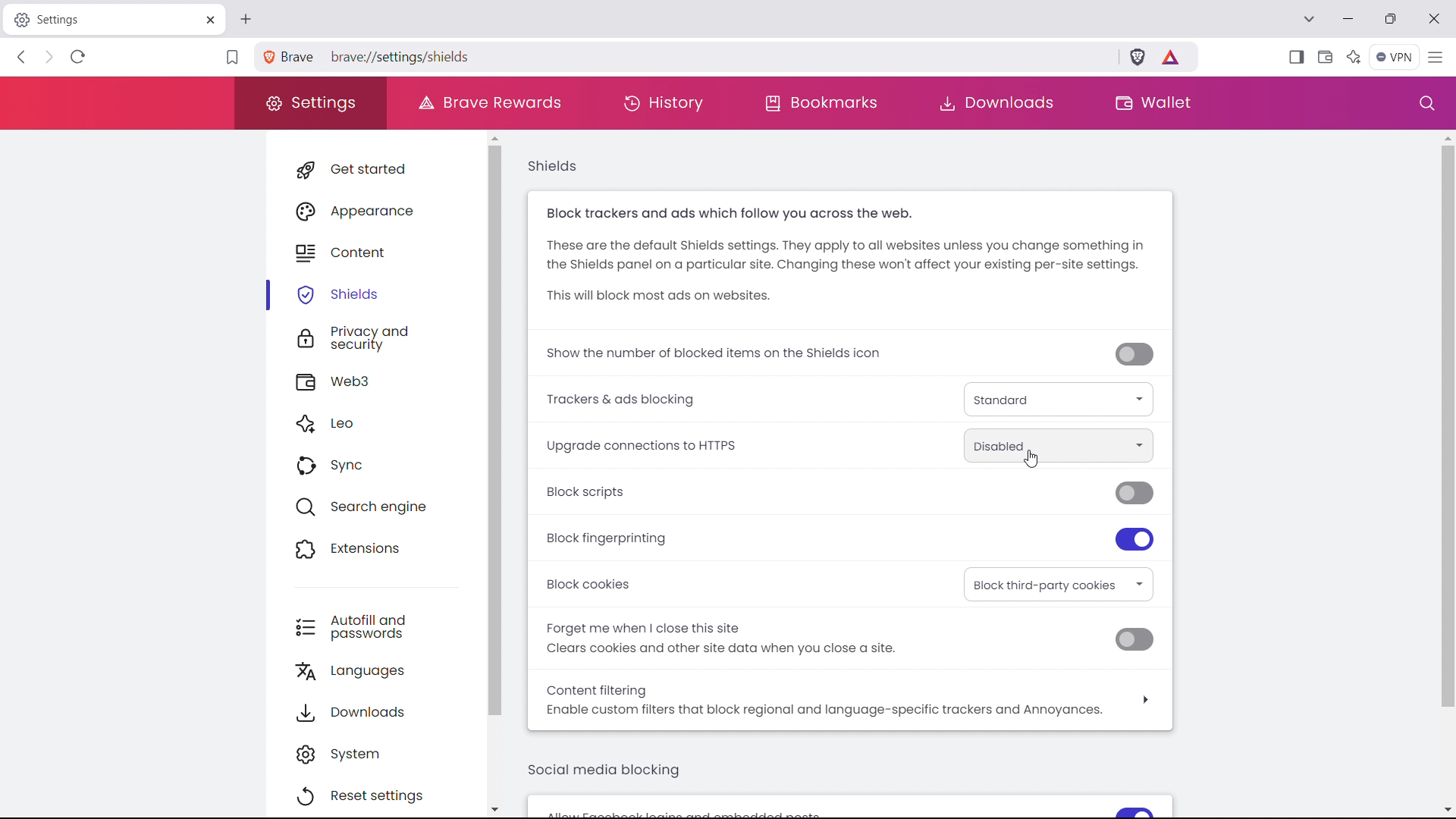 Image resolution: width=1456 pixels, height=819 pixels. Describe the element at coordinates (648, 444) in the screenshot. I see `Upgrade connections to HTTPS` at that location.